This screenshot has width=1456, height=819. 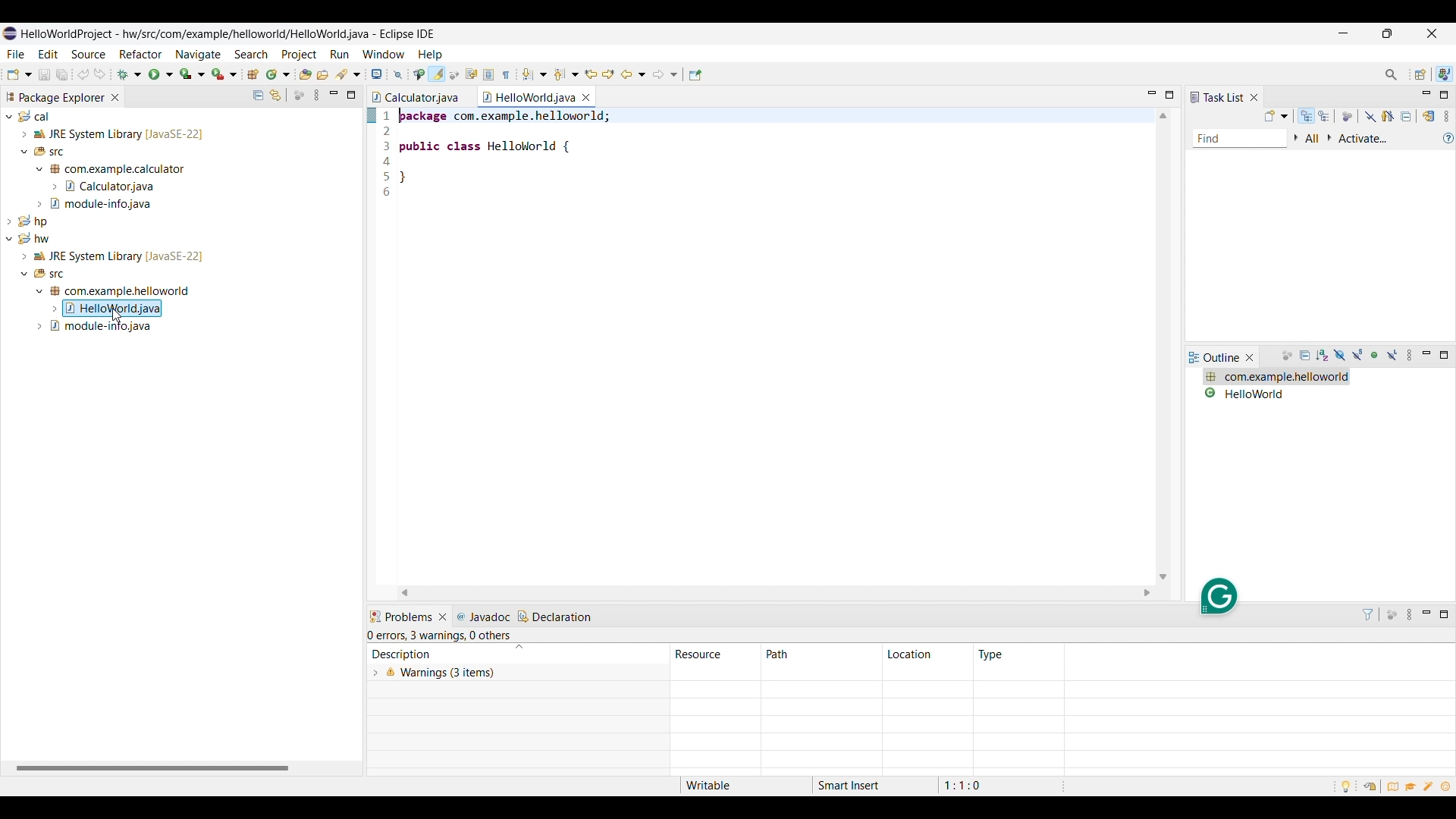 What do you see at coordinates (485, 617) in the screenshot?
I see `Javadoc tab` at bounding box center [485, 617].